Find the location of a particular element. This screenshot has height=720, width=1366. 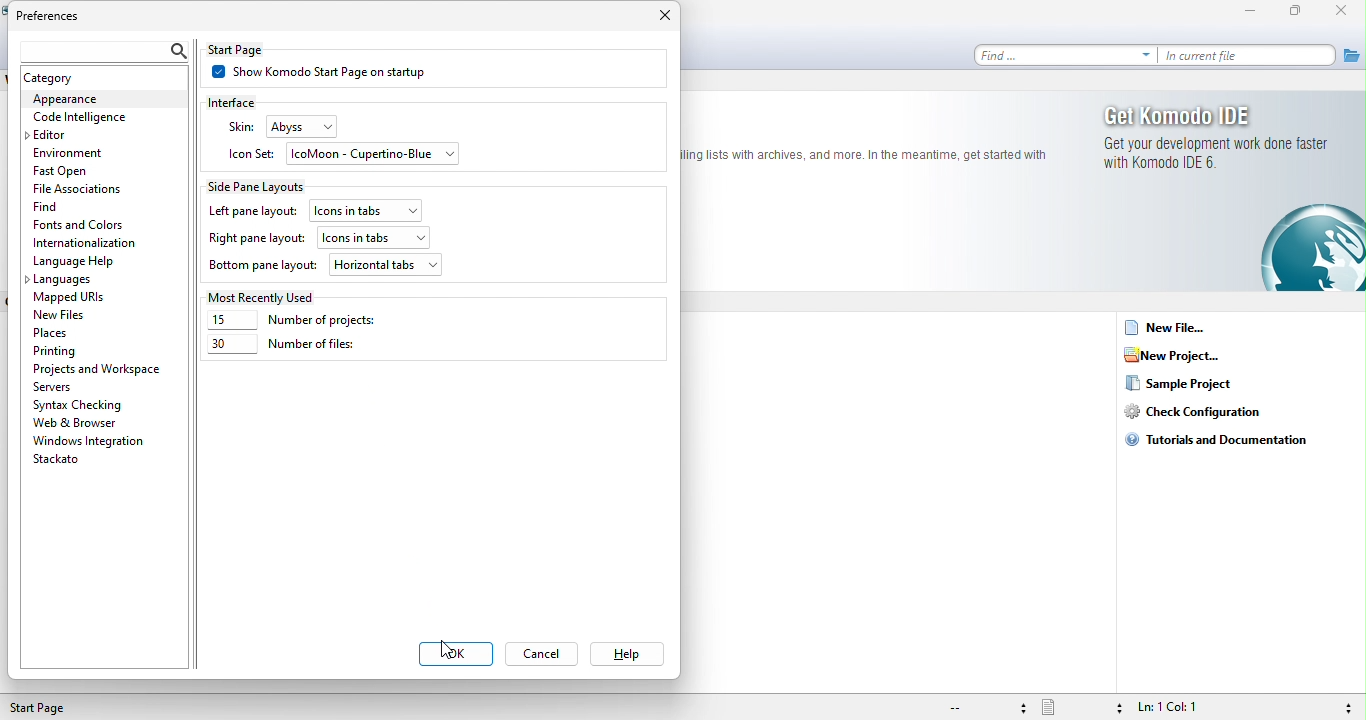

languages is located at coordinates (64, 281).